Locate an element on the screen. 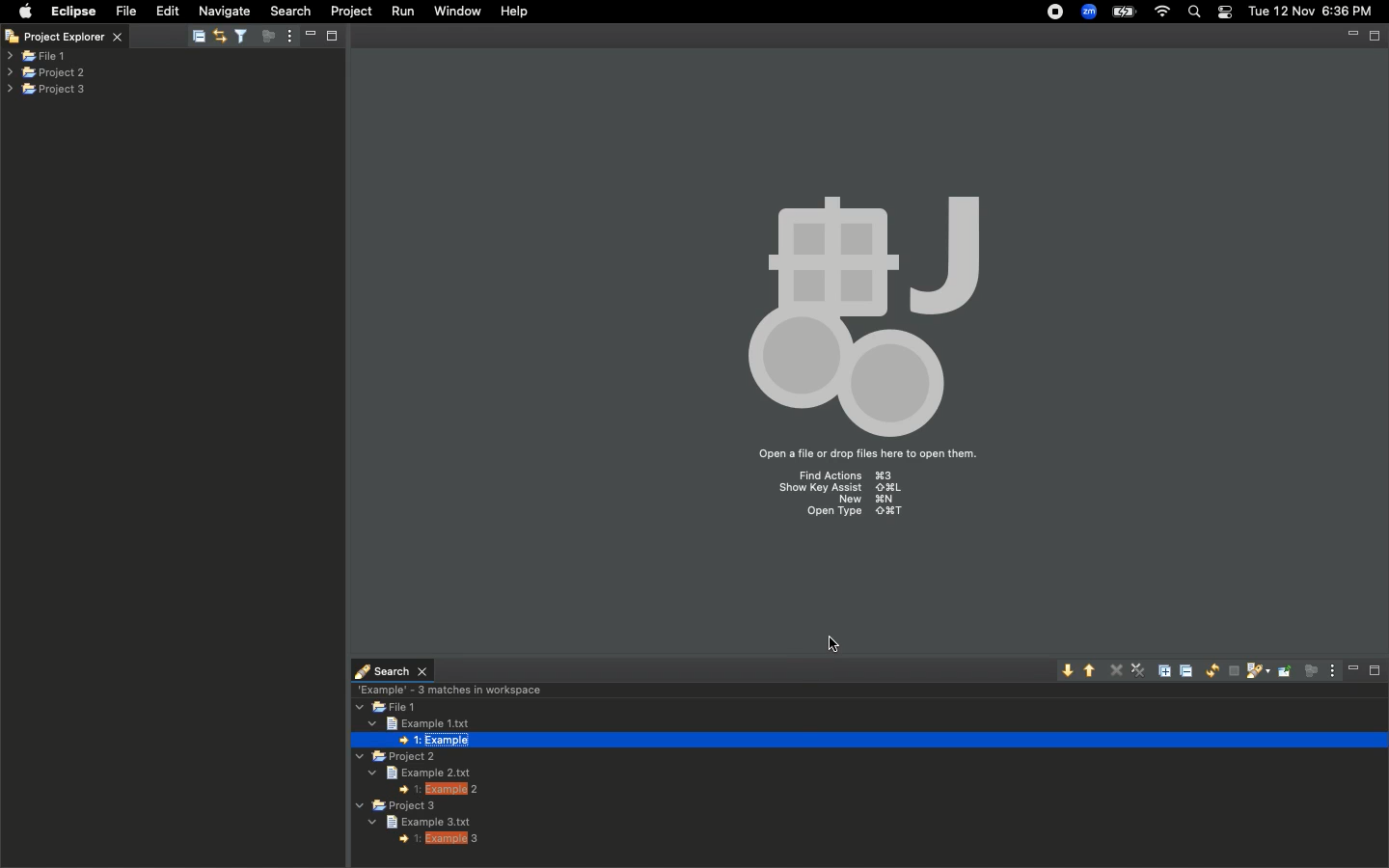  Collapse all is located at coordinates (1189, 670).